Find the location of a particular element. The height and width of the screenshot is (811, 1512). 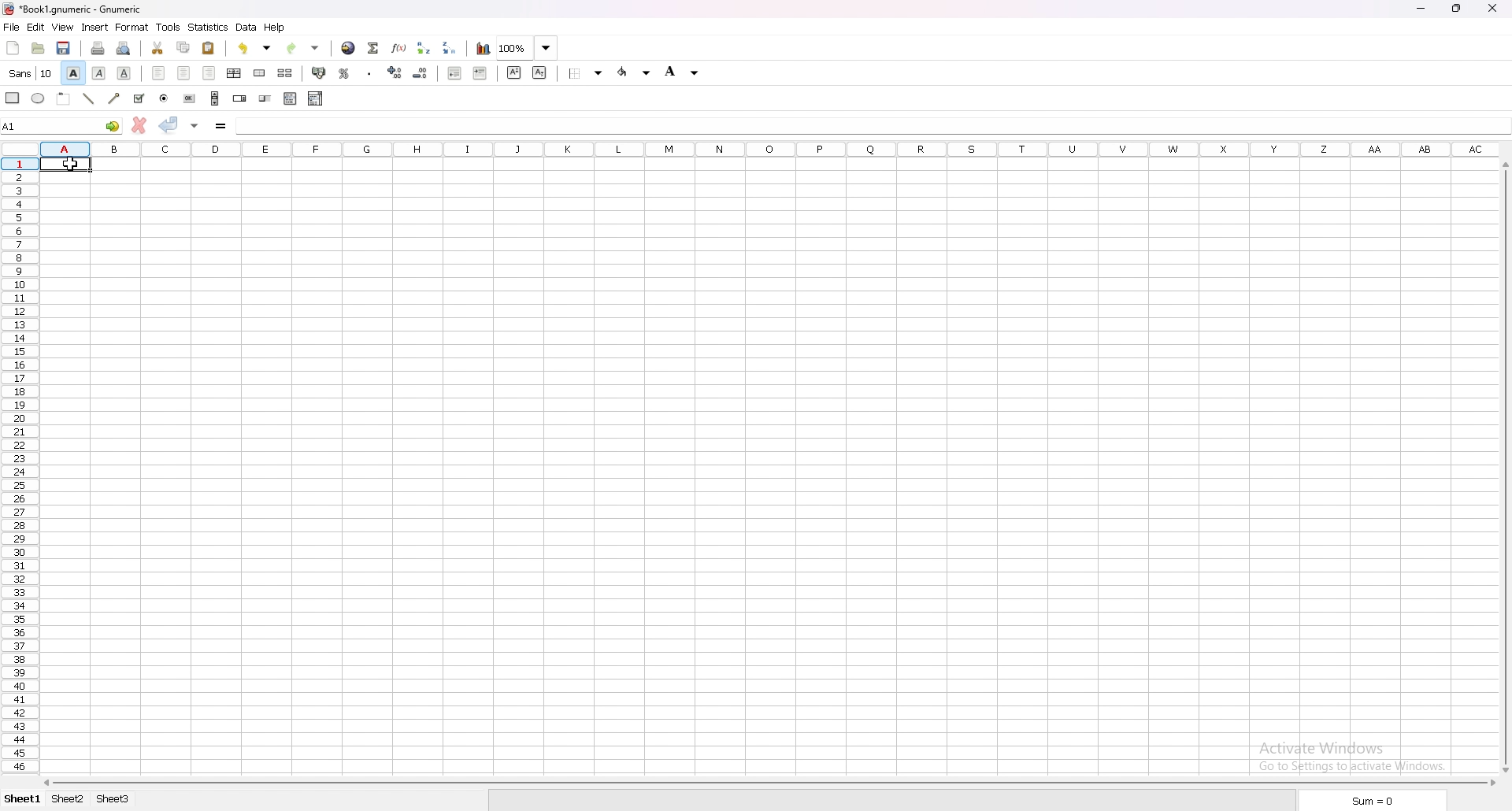

summation is located at coordinates (375, 47).